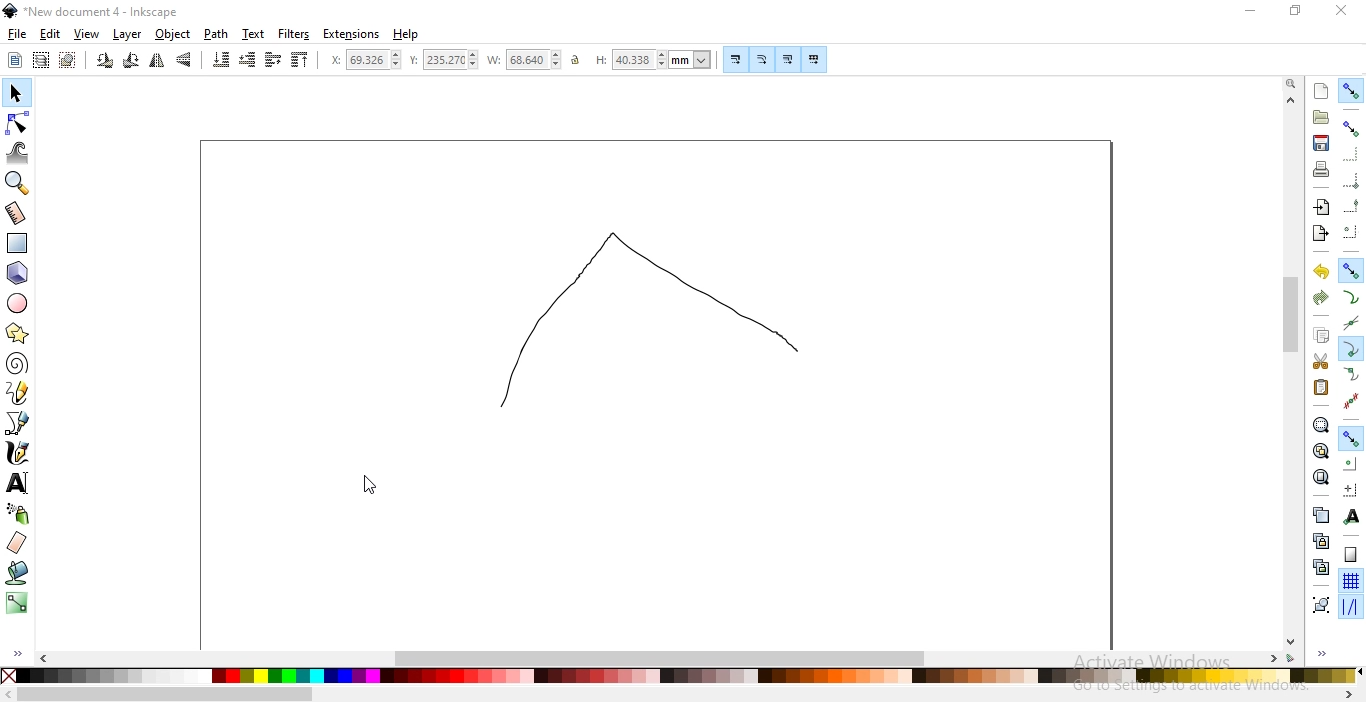  Describe the element at coordinates (443, 61) in the screenshot. I see `vertical coordinates of selection` at that location.